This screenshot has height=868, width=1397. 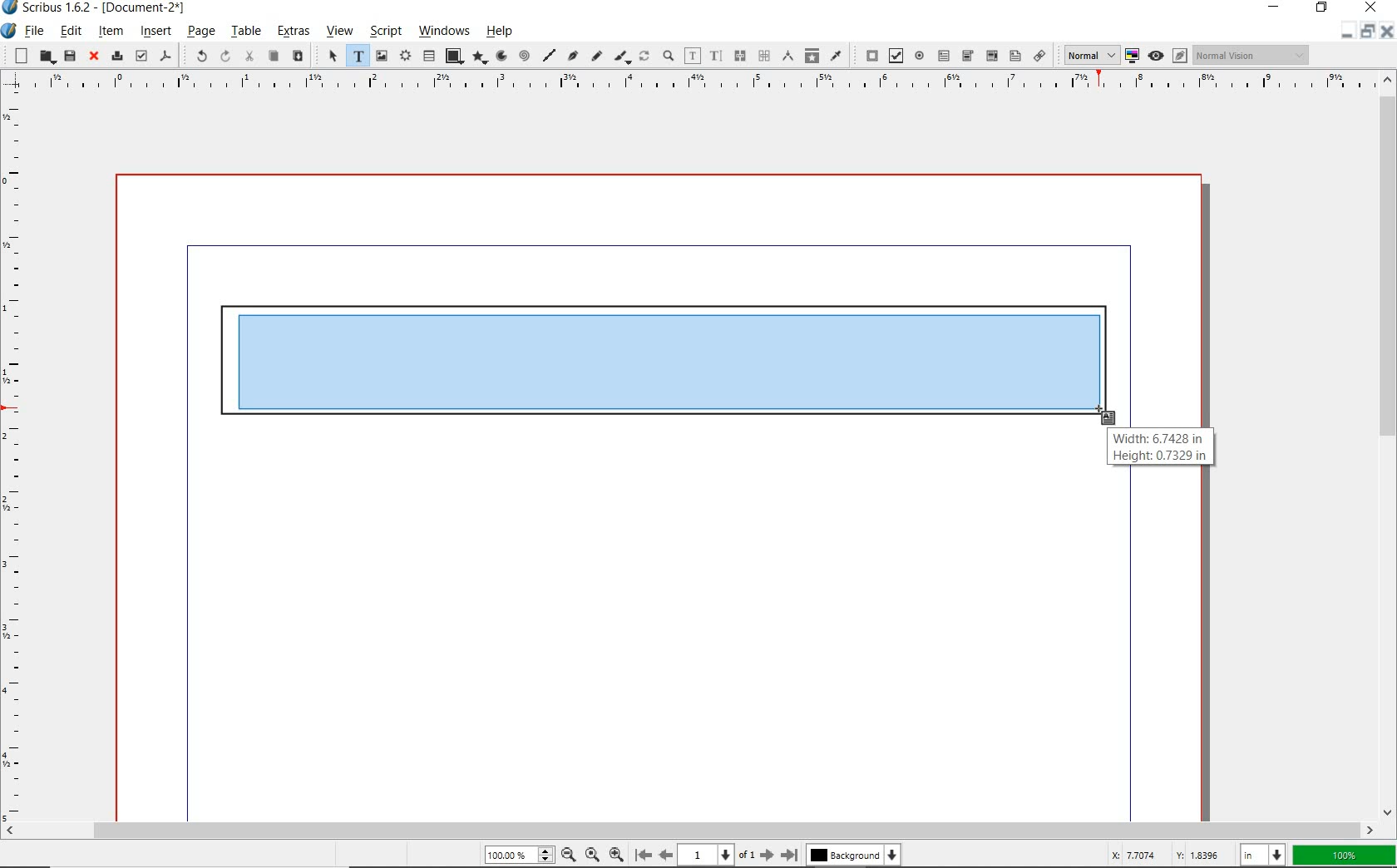 What do you see at coordinates (812, 55) in the screenshot?
I see `copy item properties` at bounding box center [812, 55].